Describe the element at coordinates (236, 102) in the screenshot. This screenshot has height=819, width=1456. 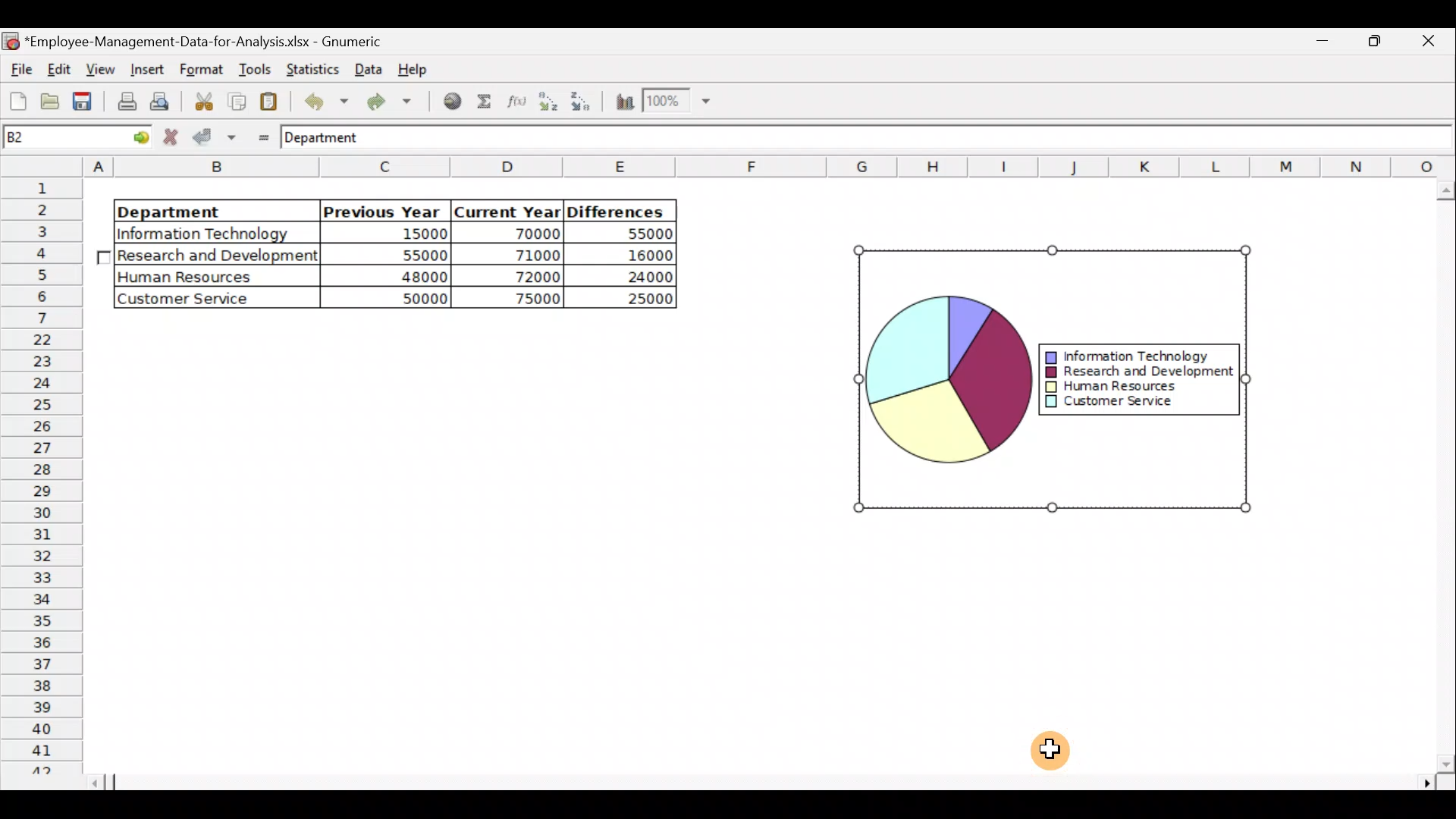
I see `Copy the selection` at that location.